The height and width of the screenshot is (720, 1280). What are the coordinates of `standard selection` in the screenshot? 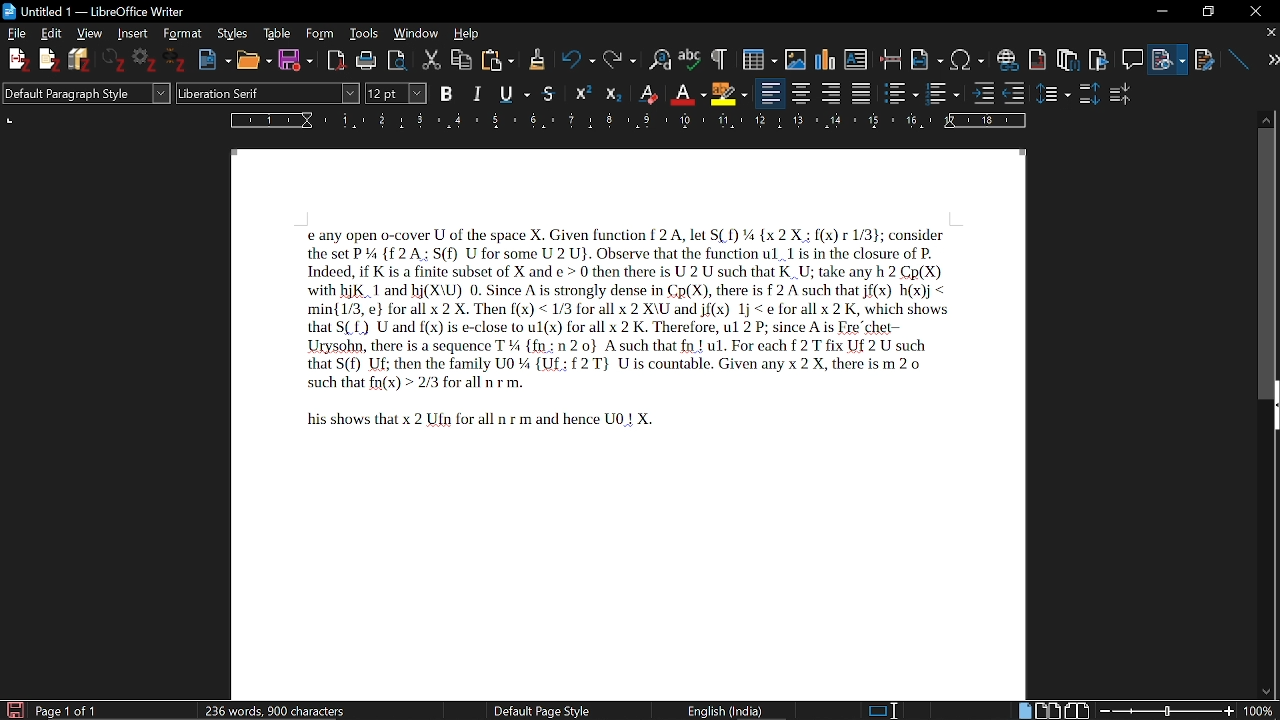 It's located at (884, 710).